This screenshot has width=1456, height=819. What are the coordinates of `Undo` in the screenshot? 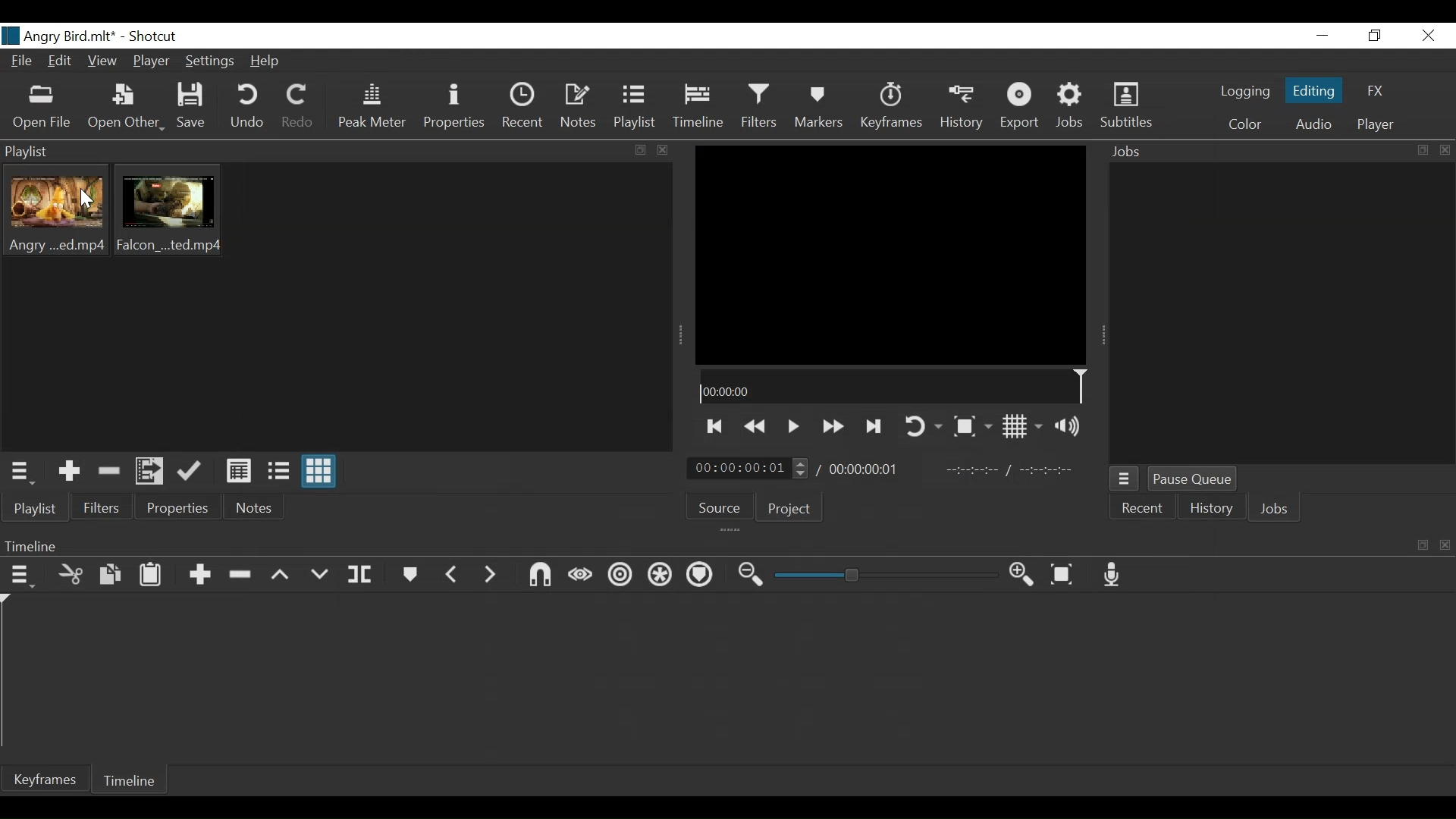 It's located at (248, 107).